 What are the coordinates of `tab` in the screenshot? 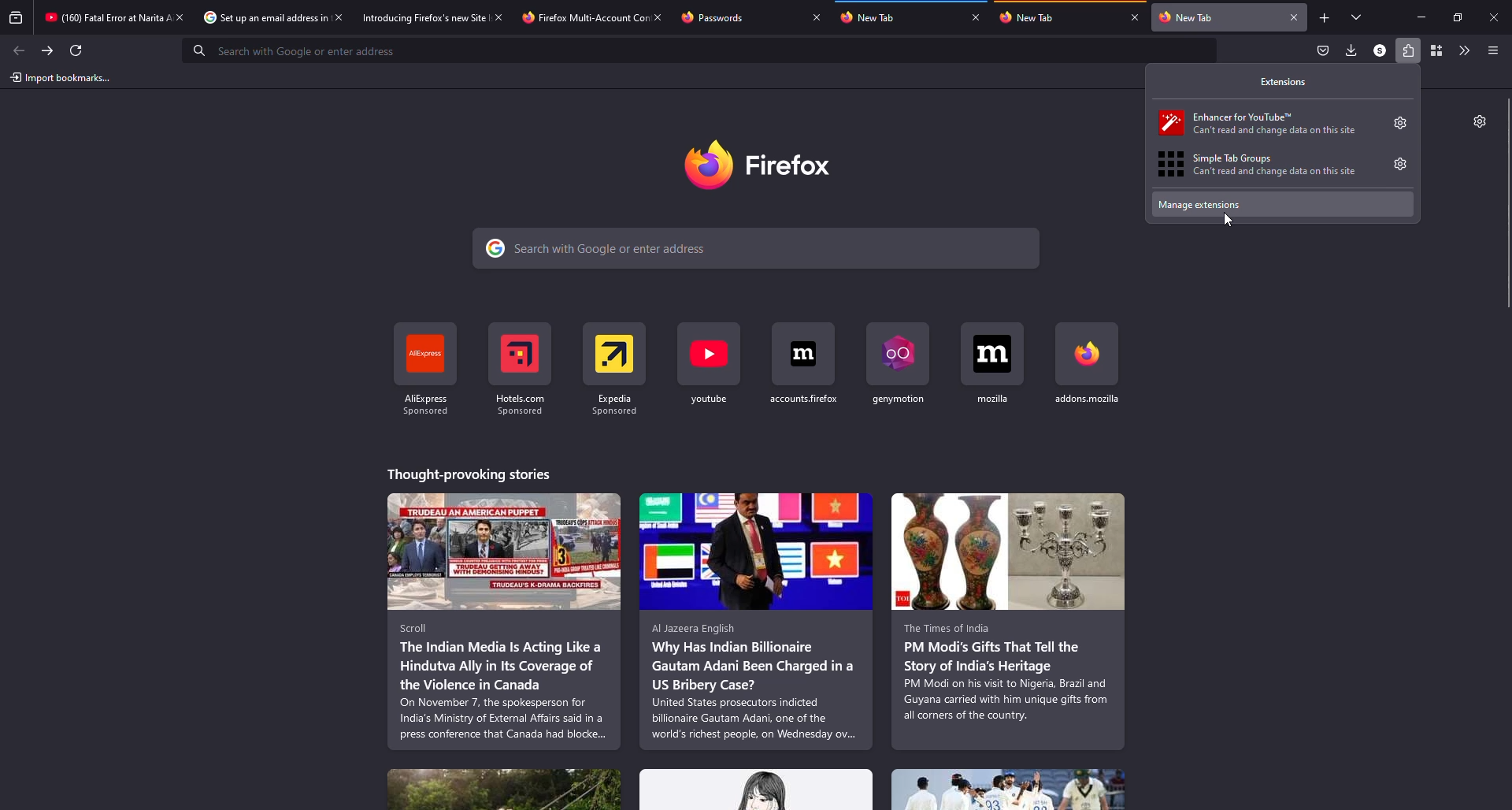 It's located at (575, 16).